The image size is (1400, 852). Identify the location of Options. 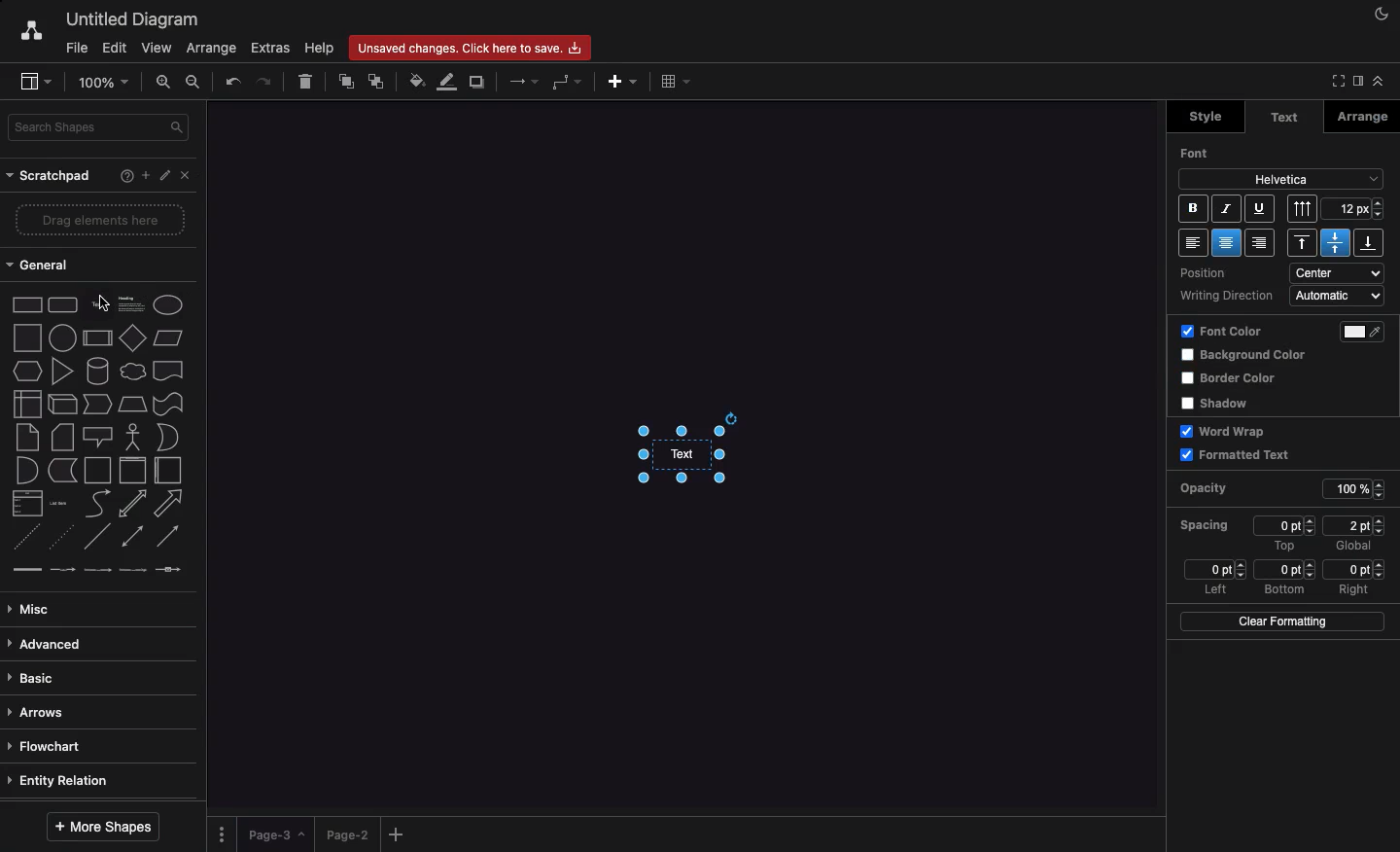
(224, 834).